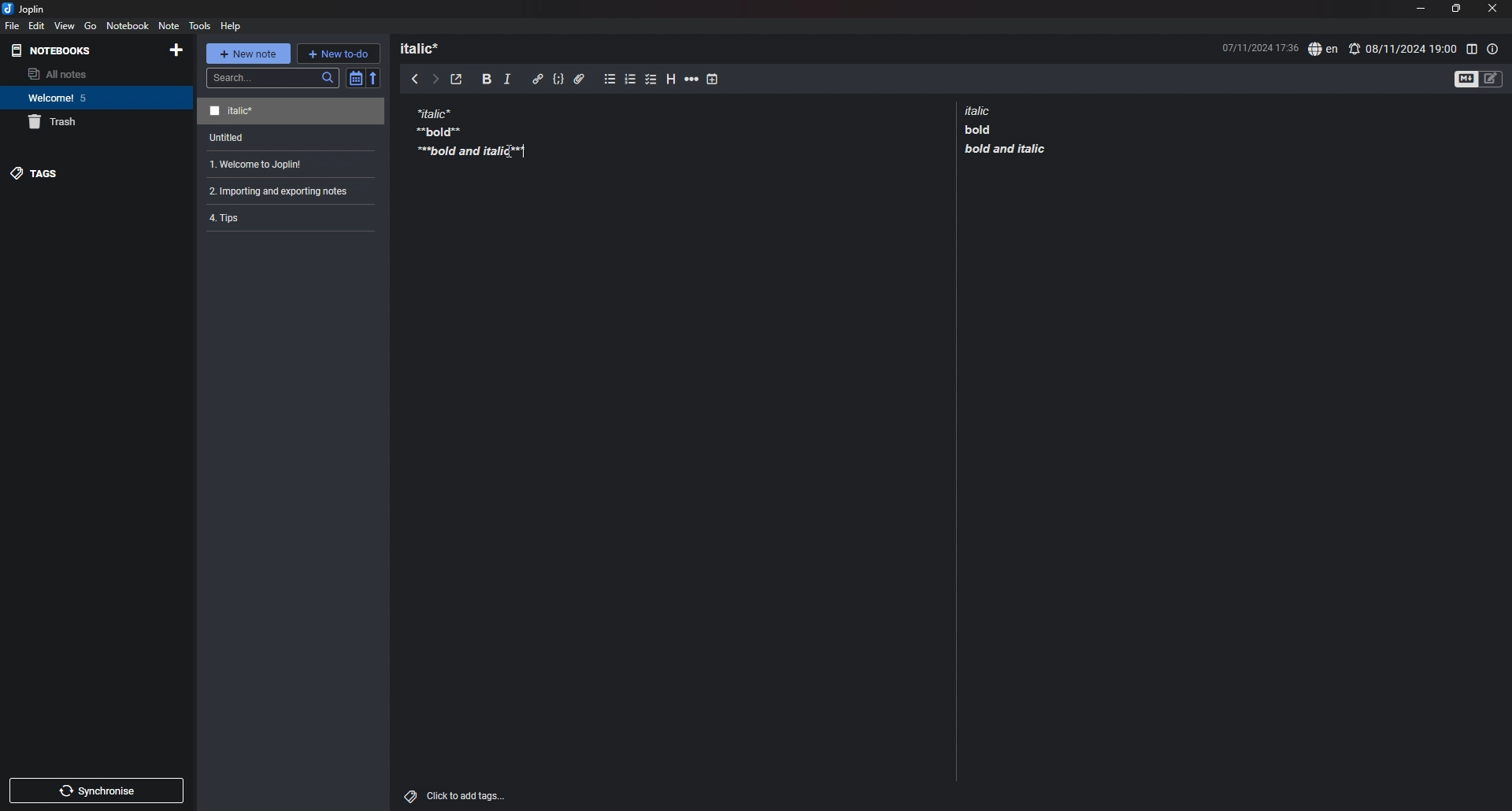 The height and width of the screenshot is (811, 1512). I want to click on previous, so click(415, 78).